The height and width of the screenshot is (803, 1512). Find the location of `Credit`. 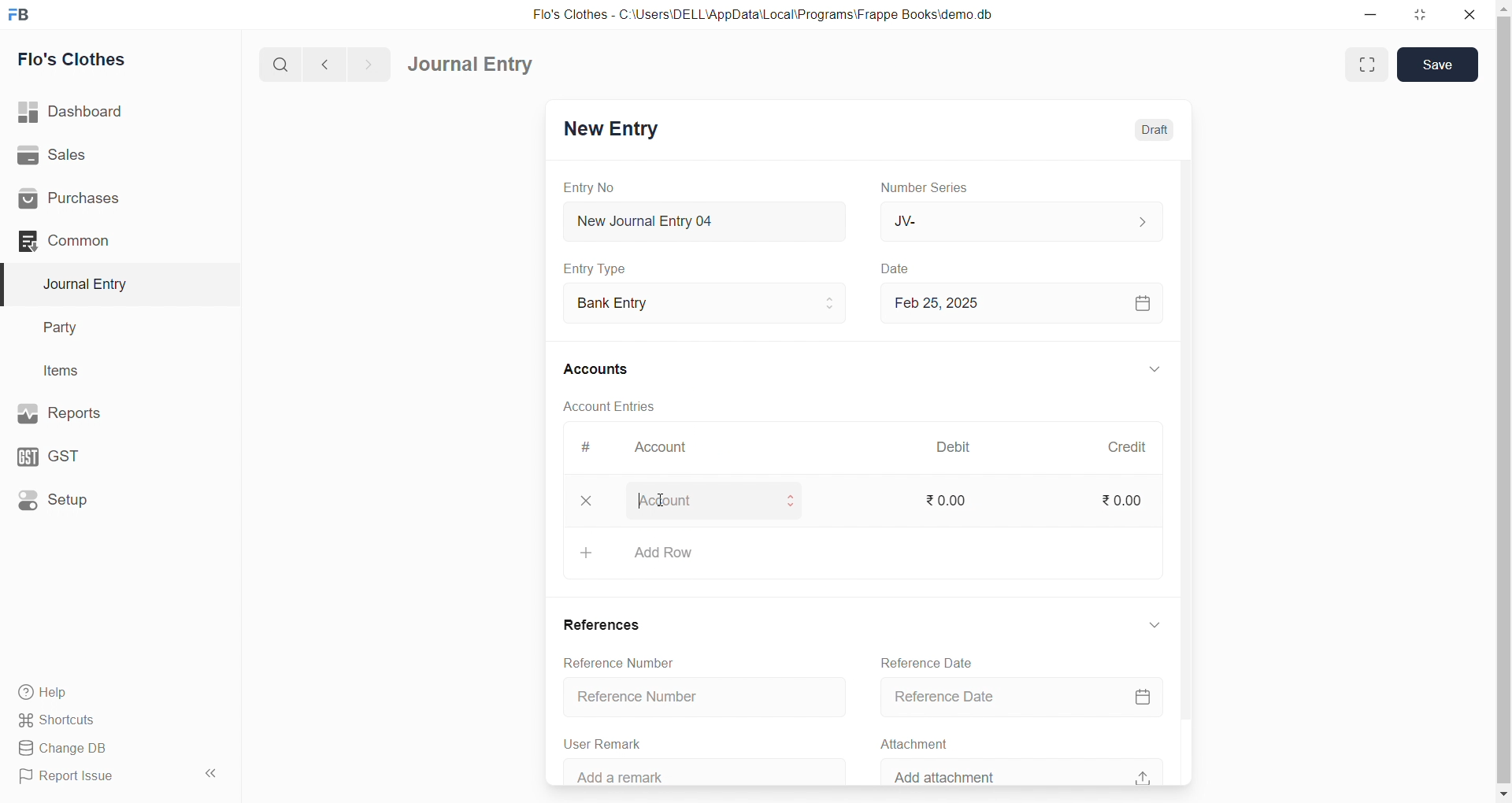

Credit is located at coordinates (1135, 447).